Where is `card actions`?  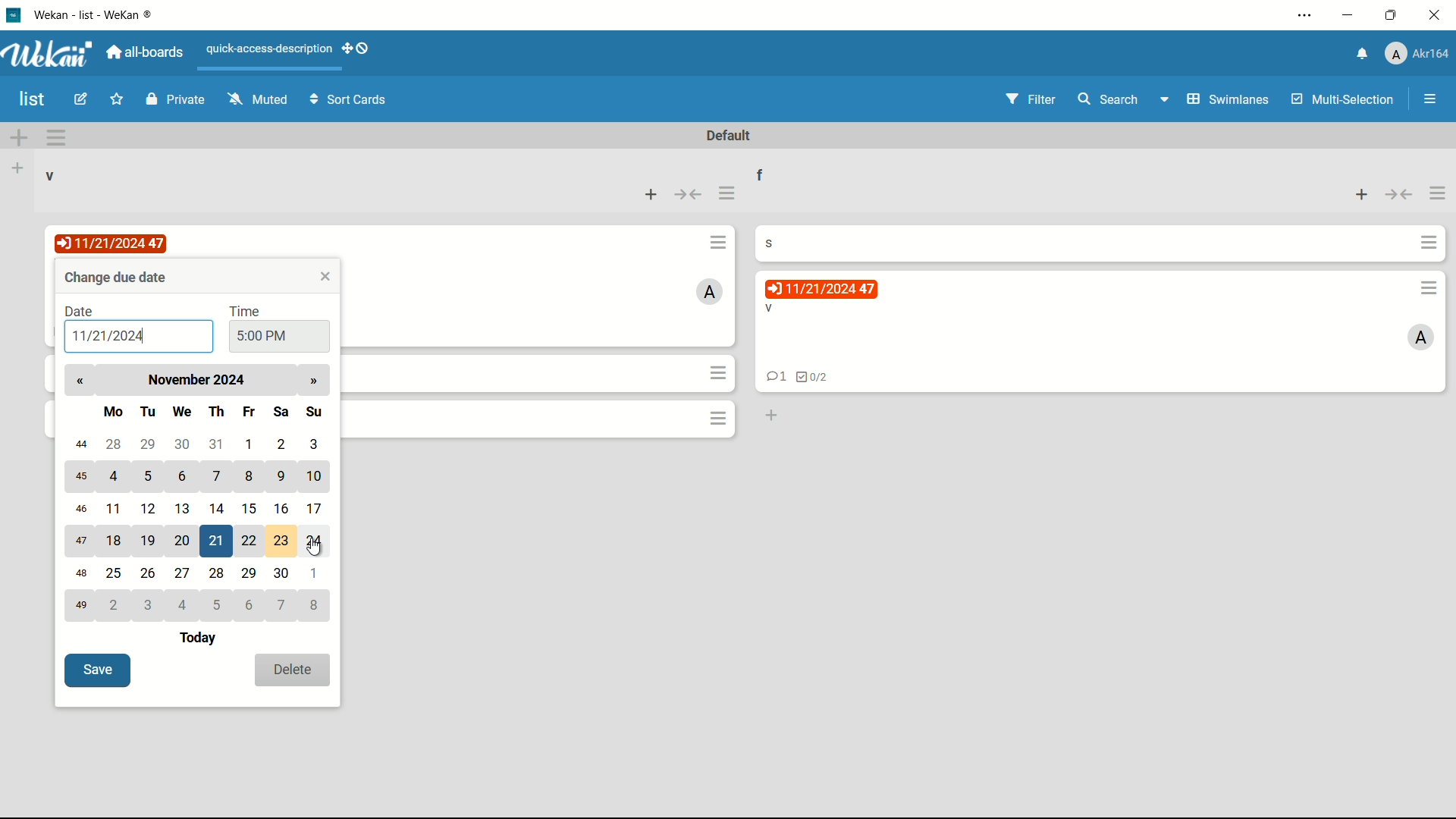 card actions is located at coordinates (1429, 288).